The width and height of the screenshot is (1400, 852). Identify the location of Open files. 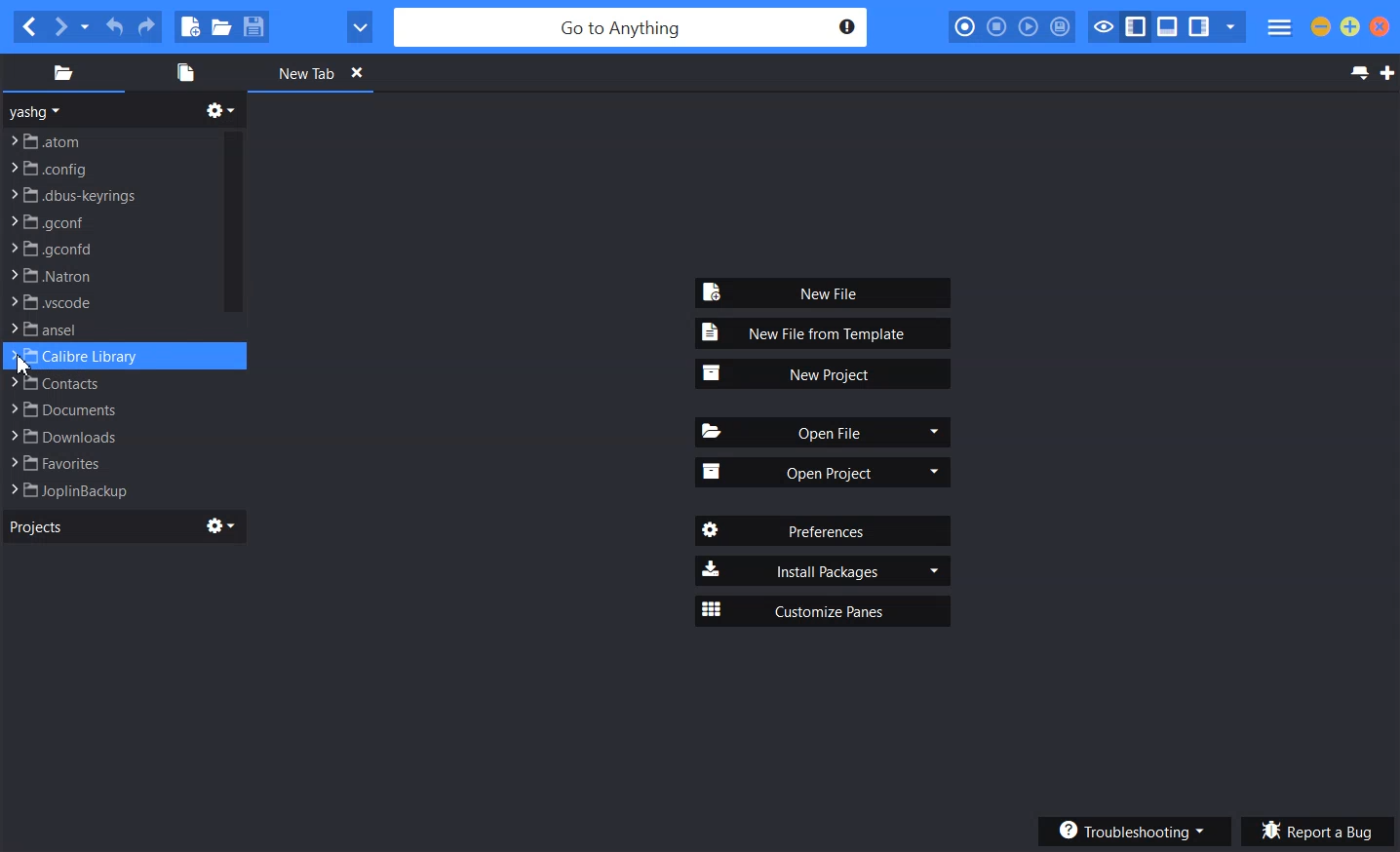
(182, 72).